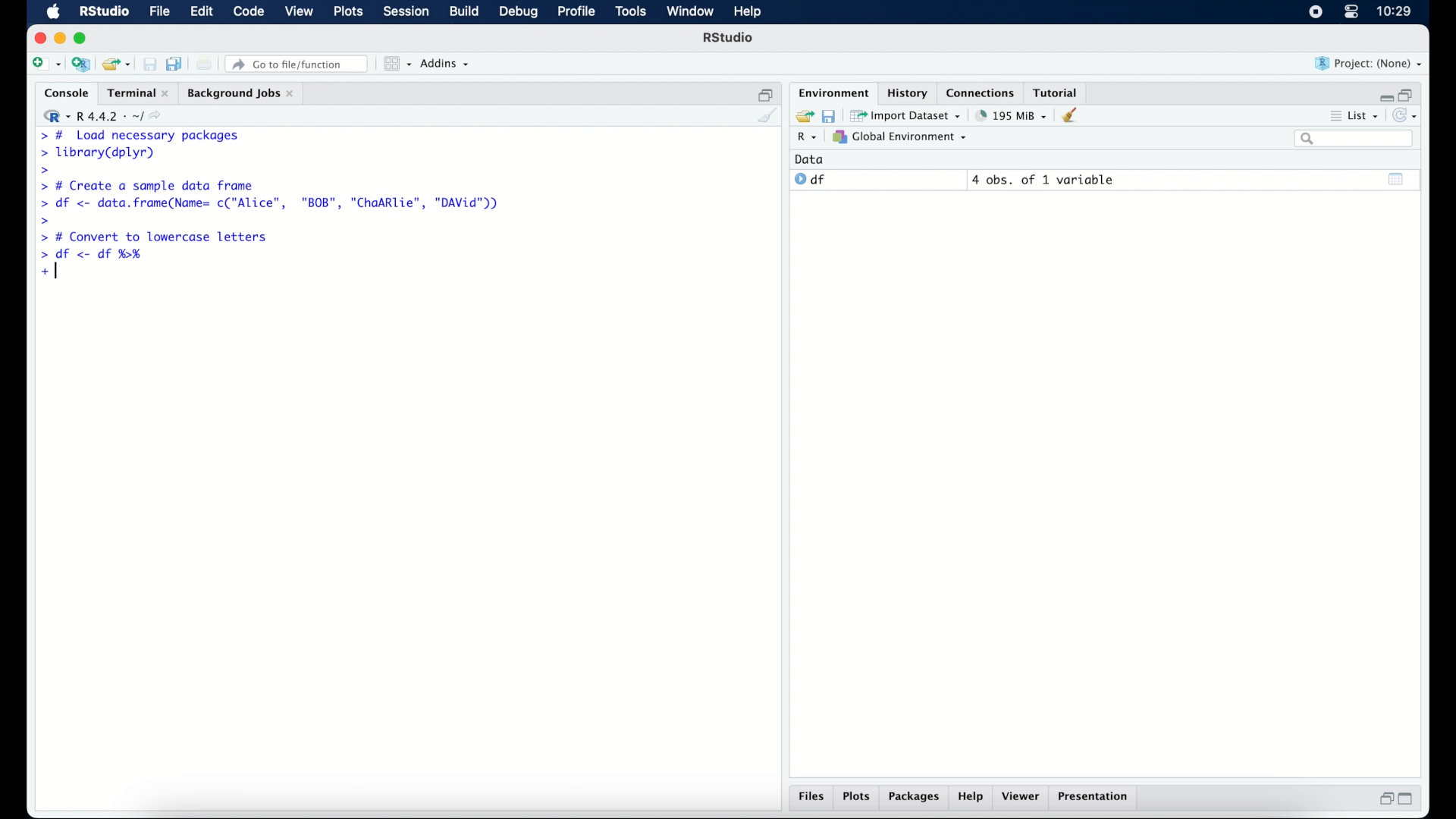  Describe the element at coordinates (766, 117) in the screenshot. I see `clear console` at that location.